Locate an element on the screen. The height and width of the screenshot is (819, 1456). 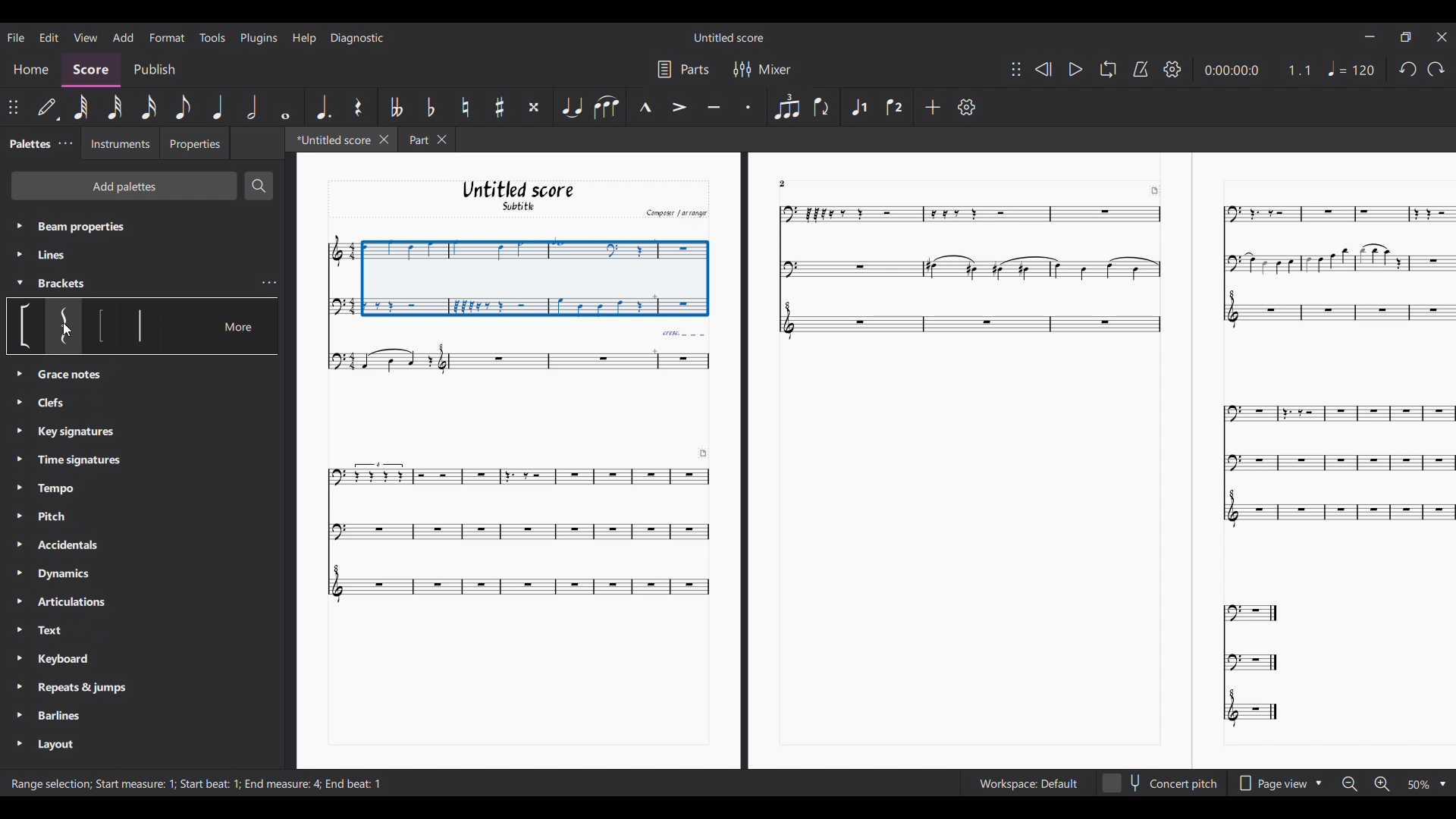
Option under bracket section is located at coordinates (64, 326).